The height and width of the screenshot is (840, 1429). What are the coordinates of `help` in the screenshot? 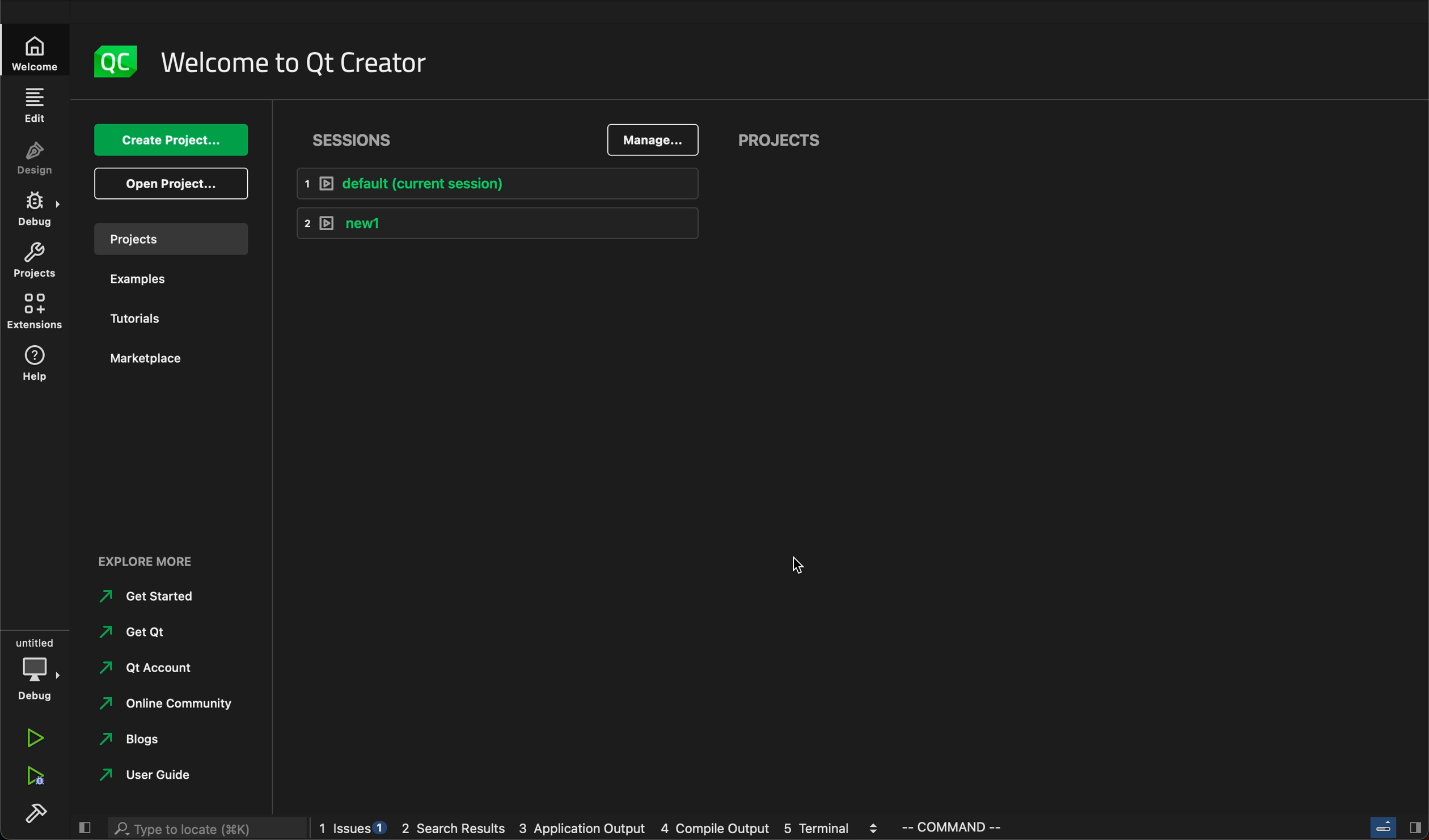 It's located at (35, 366).